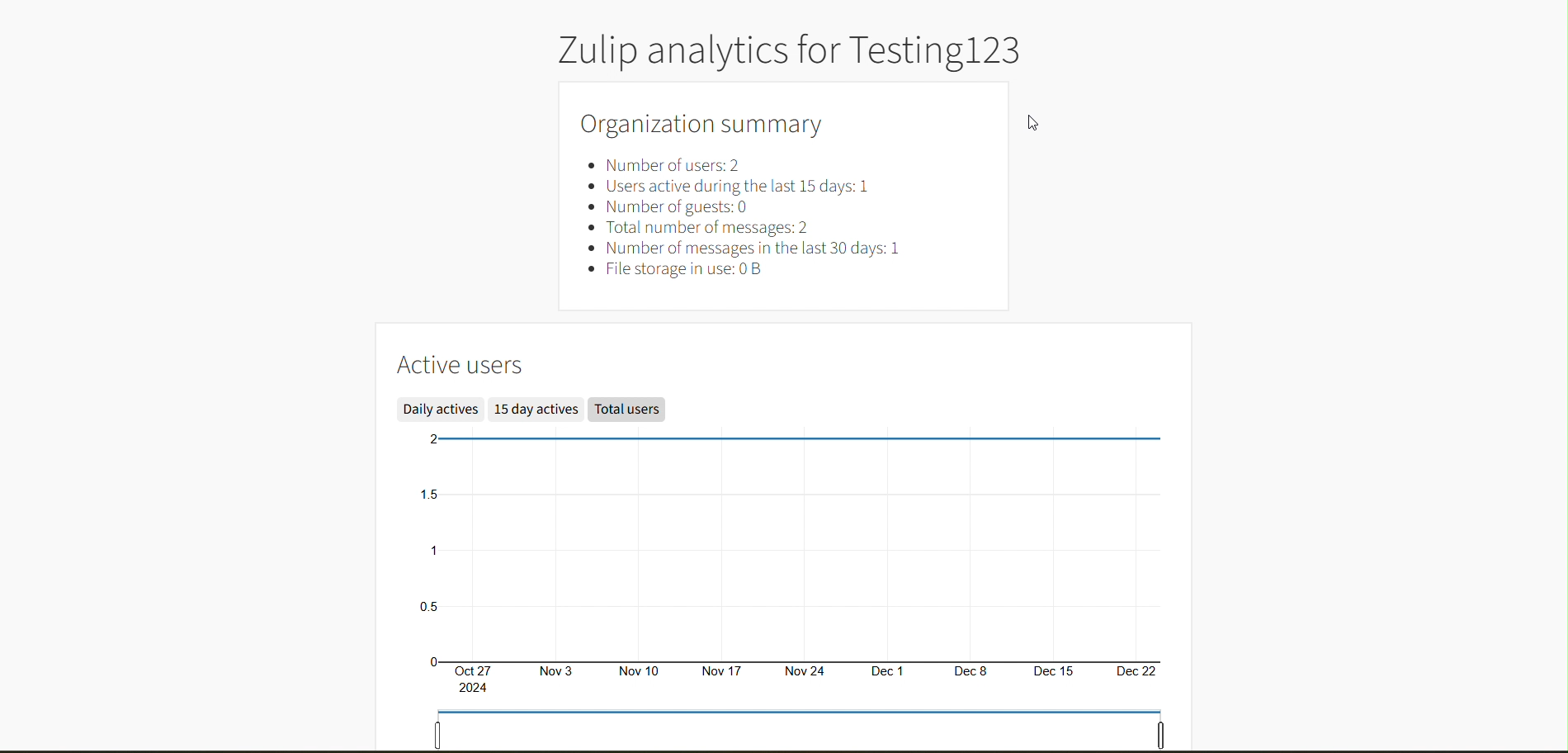 This screenshot has width=1568, height=753. What do you see at coordinates (629, 409) in the screenshot?
I see `Total users` at bounding box center [629, 409].